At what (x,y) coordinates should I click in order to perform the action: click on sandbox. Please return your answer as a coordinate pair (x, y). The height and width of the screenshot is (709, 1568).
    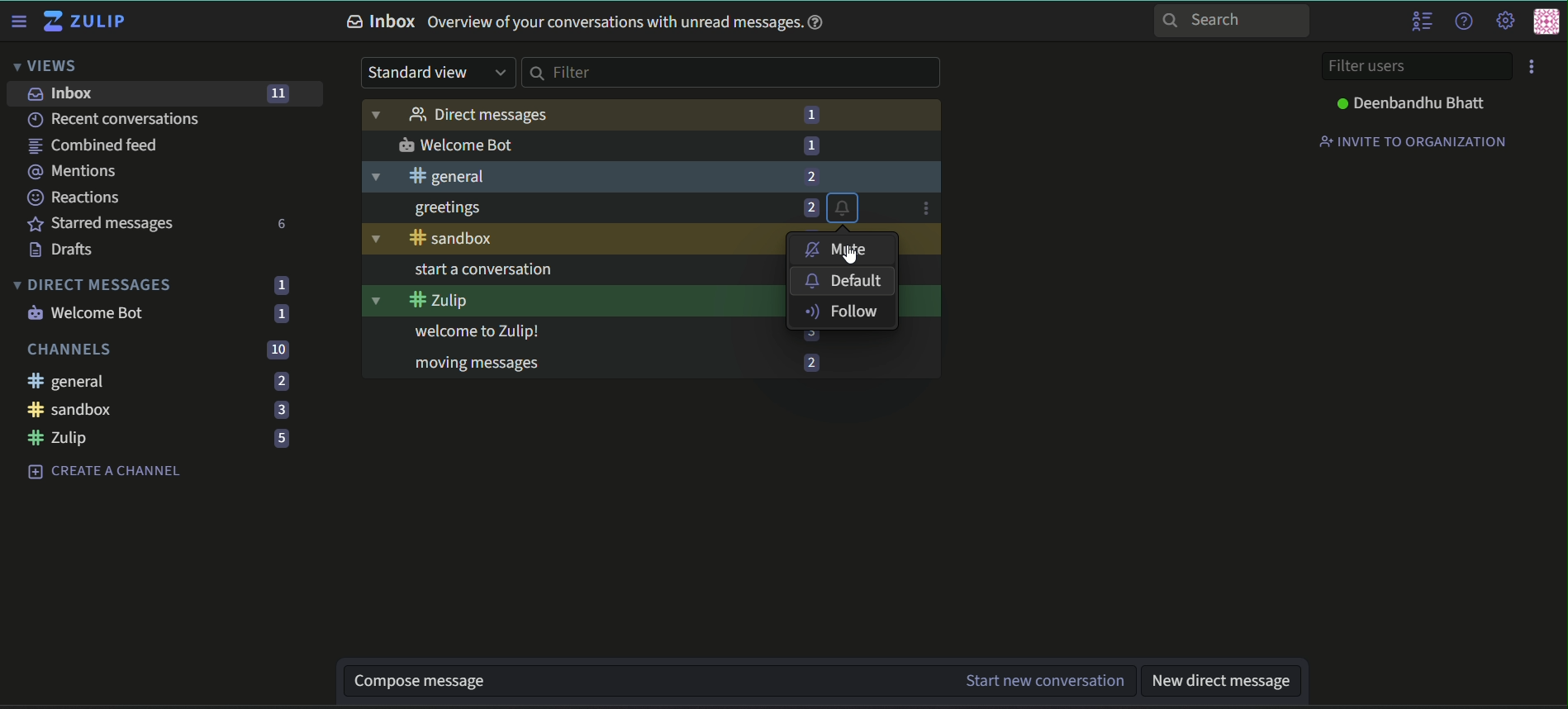
    Looking at the image, I should click on (572, 240).